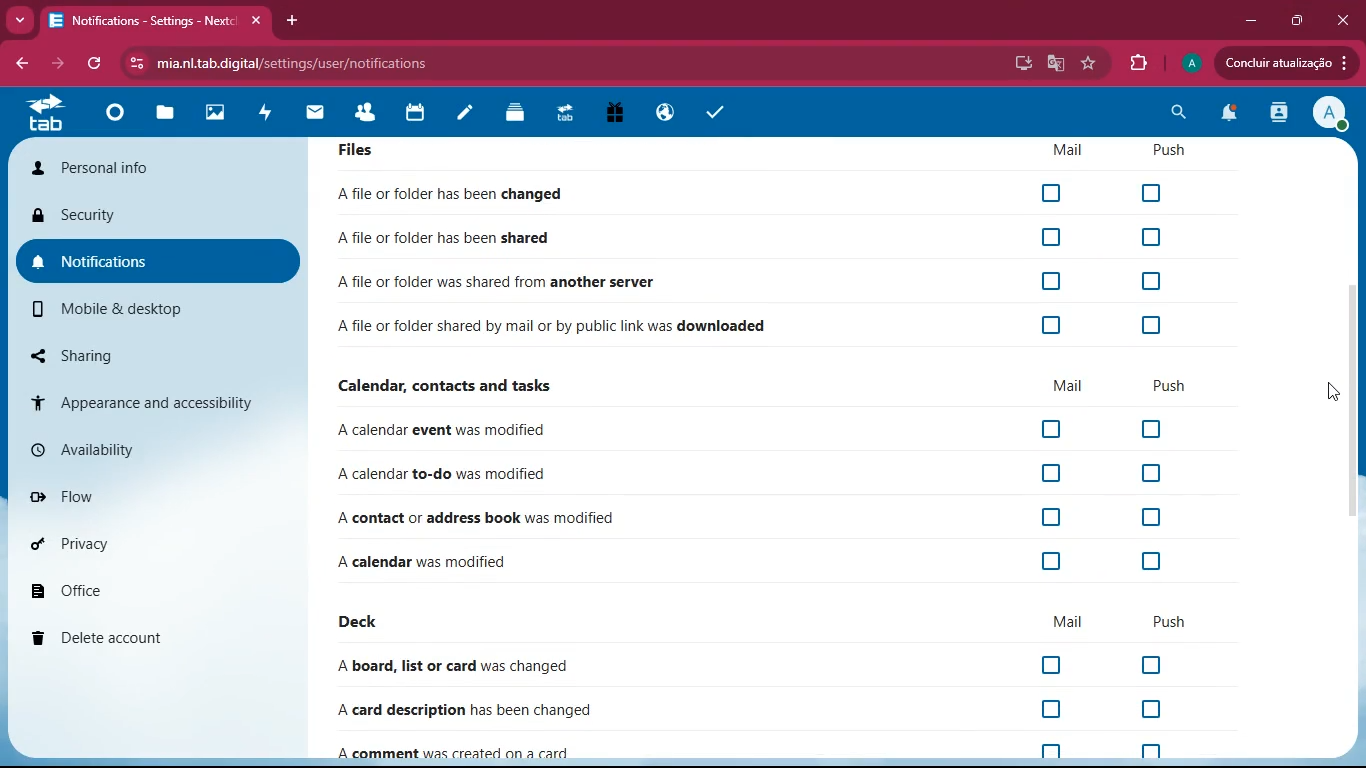  I want to click on notifications, so click(1229, 116).